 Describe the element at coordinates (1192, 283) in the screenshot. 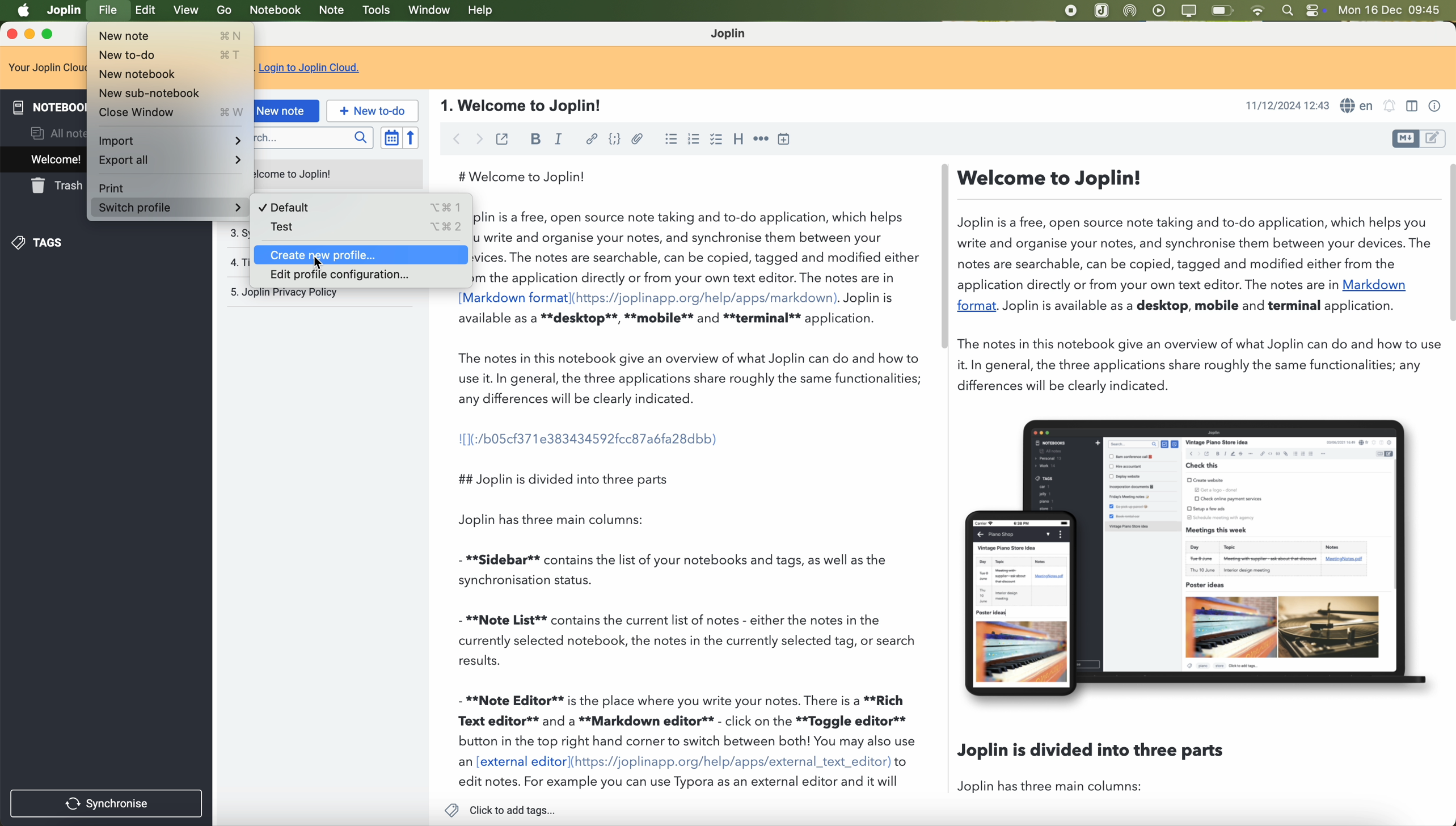

I see `—Welcome to Joplin!Joplin is a free, open source note taking and to-do application, which helps youwrite and organise your notes, and synchronise them between your devices. Thnotes are searchable, can be copied, tagged and modified either from theapplication directly or from your own text editor. The notes are in Markdownformat. Joplin is available as a desktop, mobile and terminal application.The notes in this notebook give an overview of what Joplin can do and how to tit. In general, the three applications share roughly the same functionalities; anydifferences will be clearly indicated.` at that location.